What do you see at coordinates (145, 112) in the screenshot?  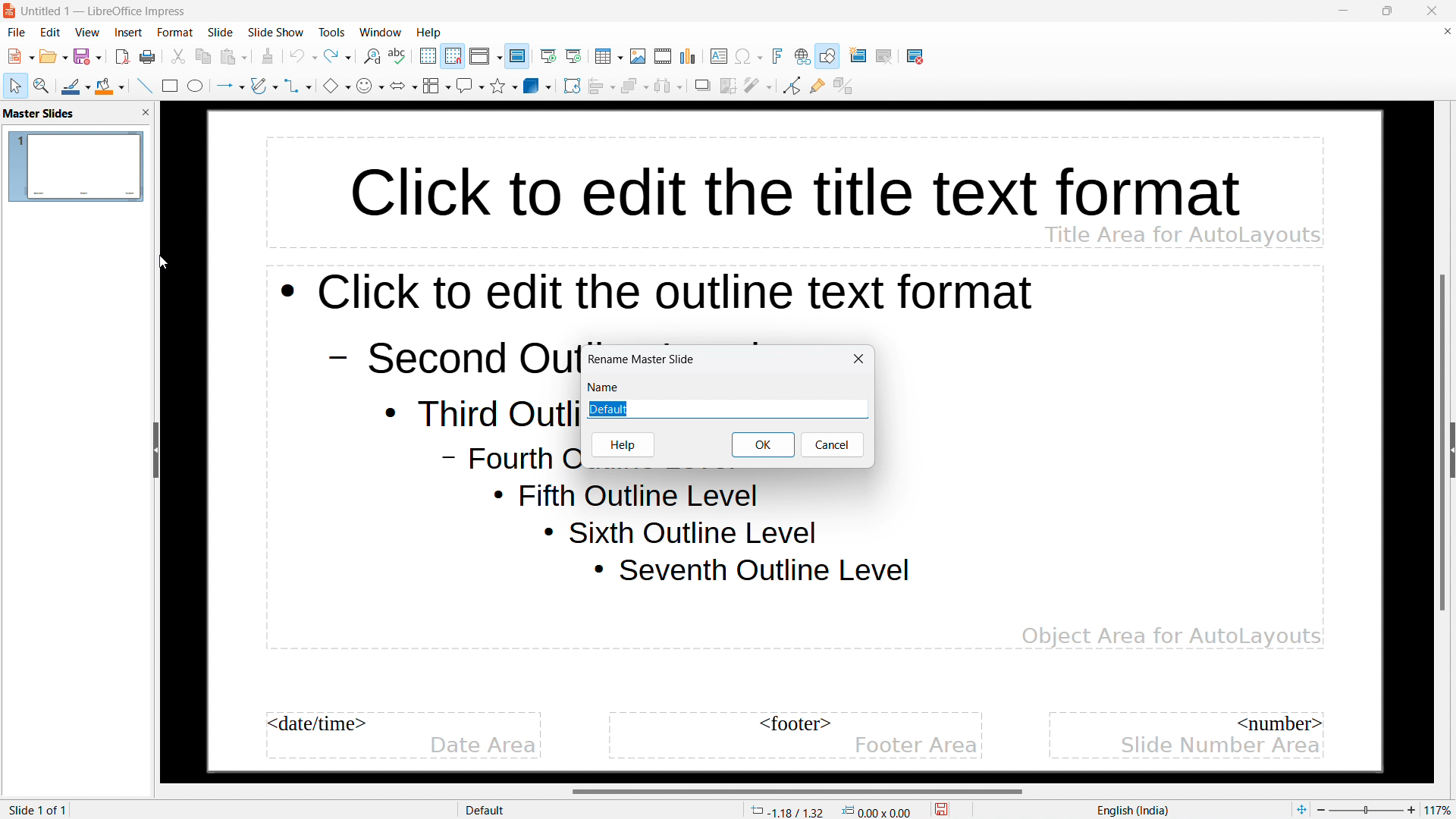 I see `close pane` at bounding box center [145, 112].